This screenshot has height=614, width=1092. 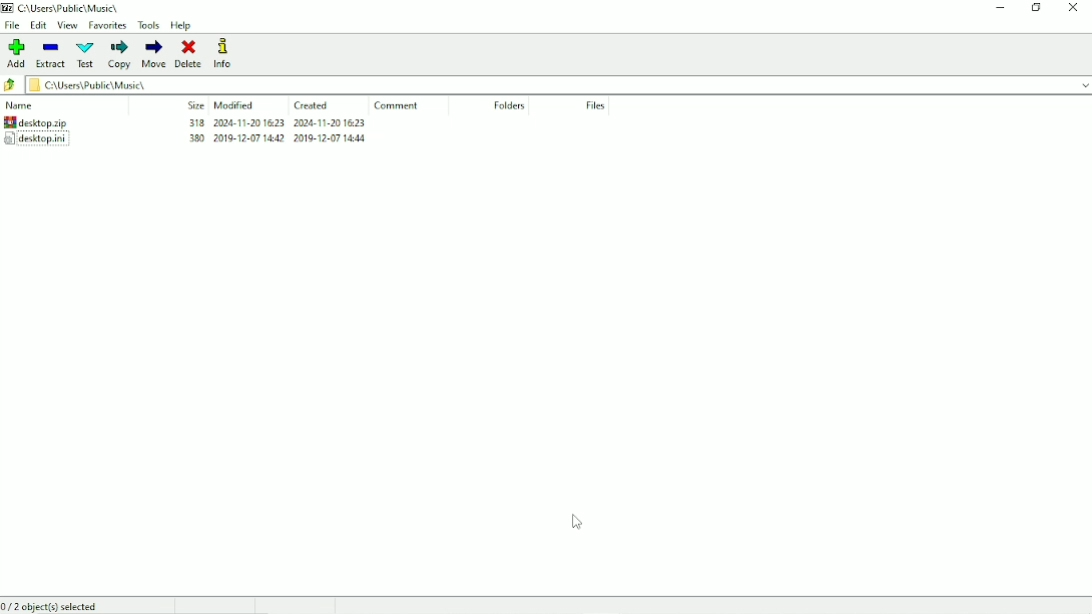 What do you see at coordinates (558, 84) in the screenshot?
I see `File location` at bounding box center [558, 84].